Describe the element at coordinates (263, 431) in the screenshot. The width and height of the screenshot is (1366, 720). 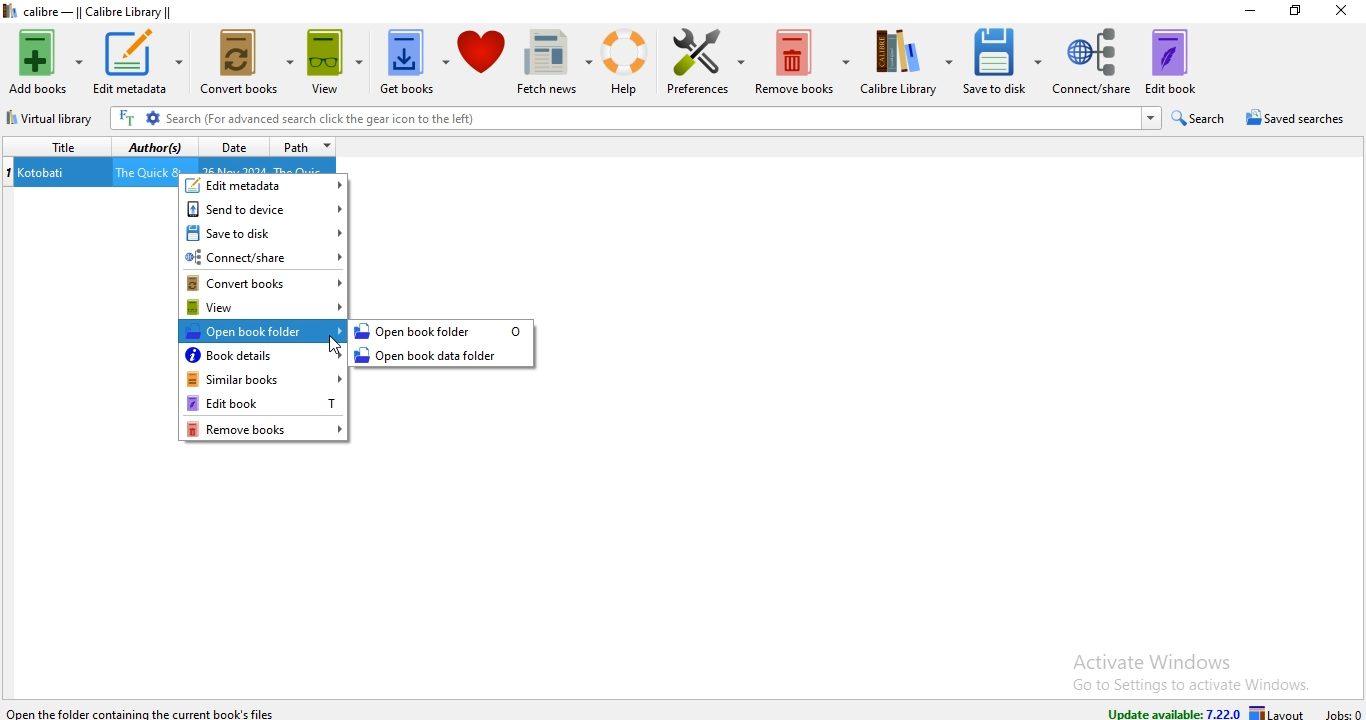
I see `remove books` at that location.